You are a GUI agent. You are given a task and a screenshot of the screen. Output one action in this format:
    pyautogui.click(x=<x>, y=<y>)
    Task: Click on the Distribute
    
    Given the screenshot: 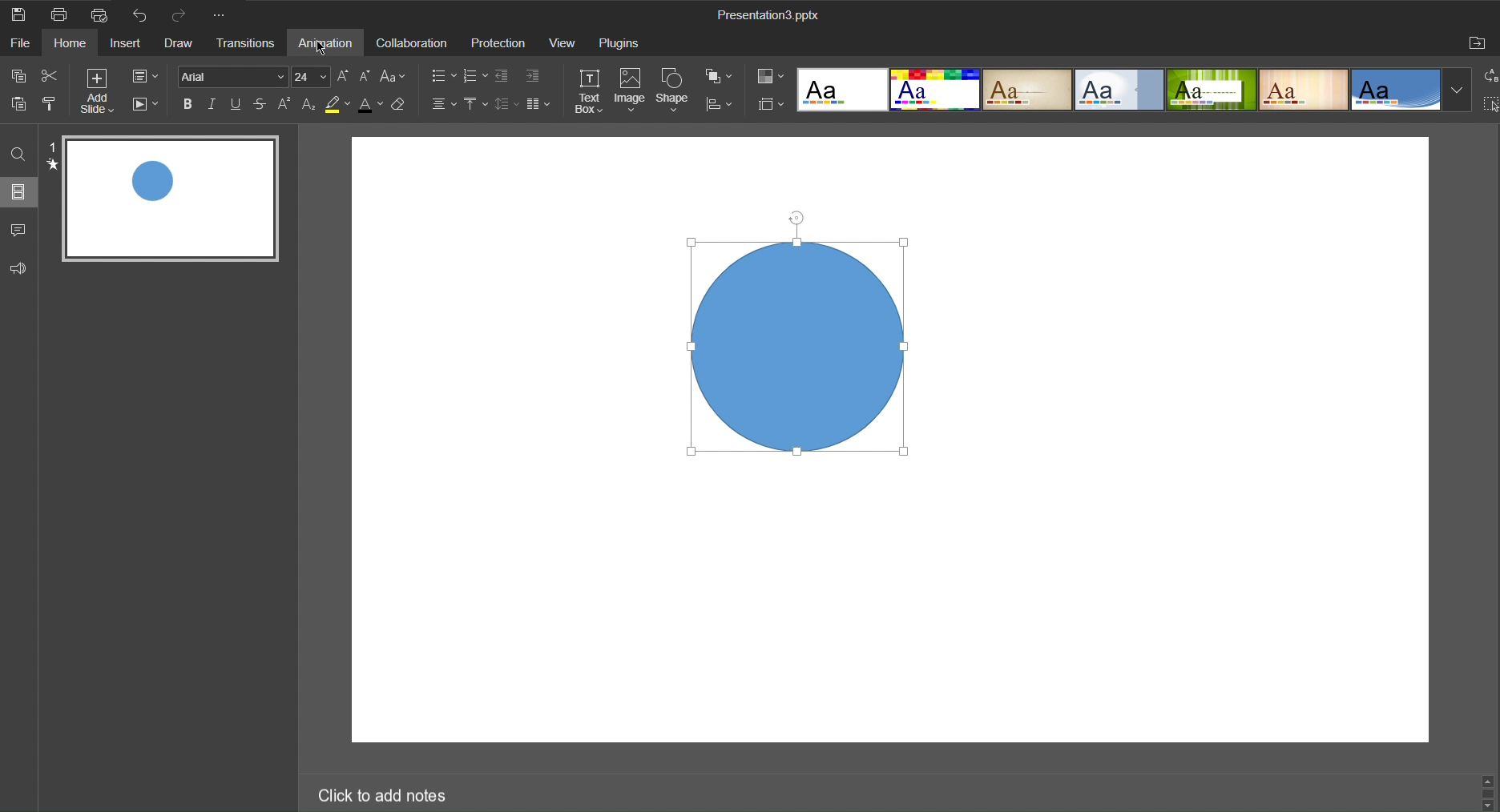 What is the action you would take?
    pyautogui.click(x=720, y=107)
    